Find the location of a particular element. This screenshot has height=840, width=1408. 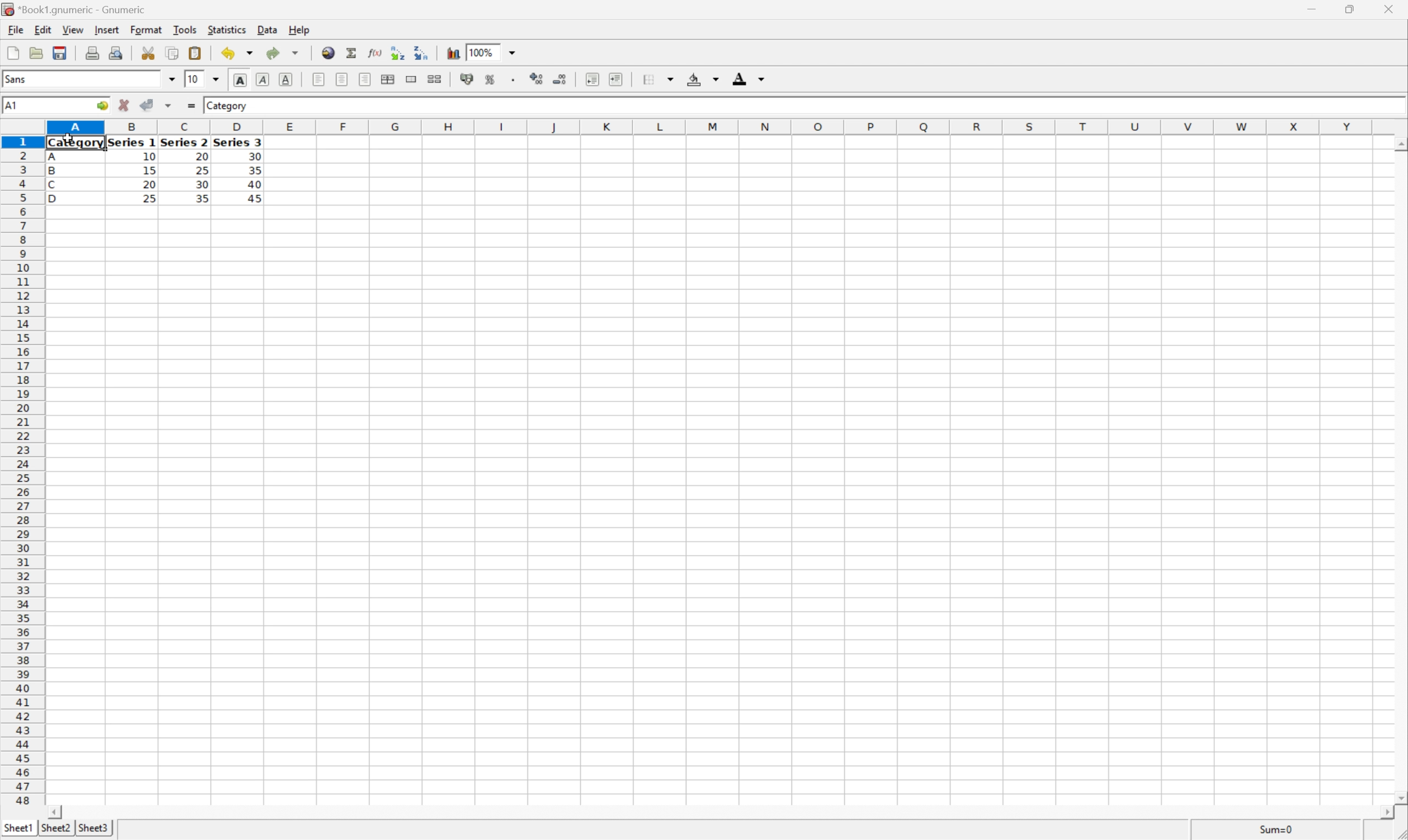

Statistics is located at coordinates (228, 30).